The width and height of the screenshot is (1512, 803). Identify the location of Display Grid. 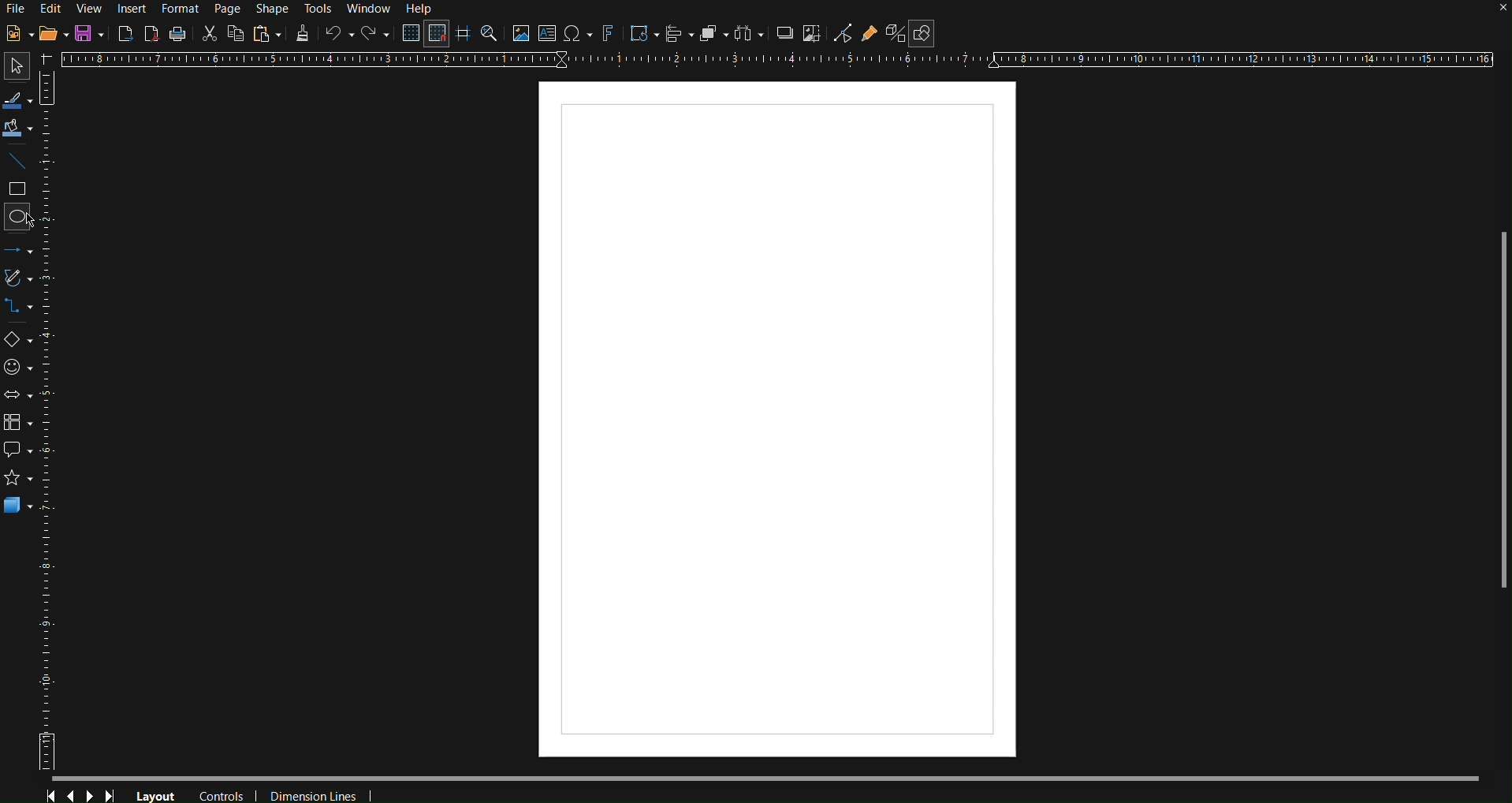
(408, 35).